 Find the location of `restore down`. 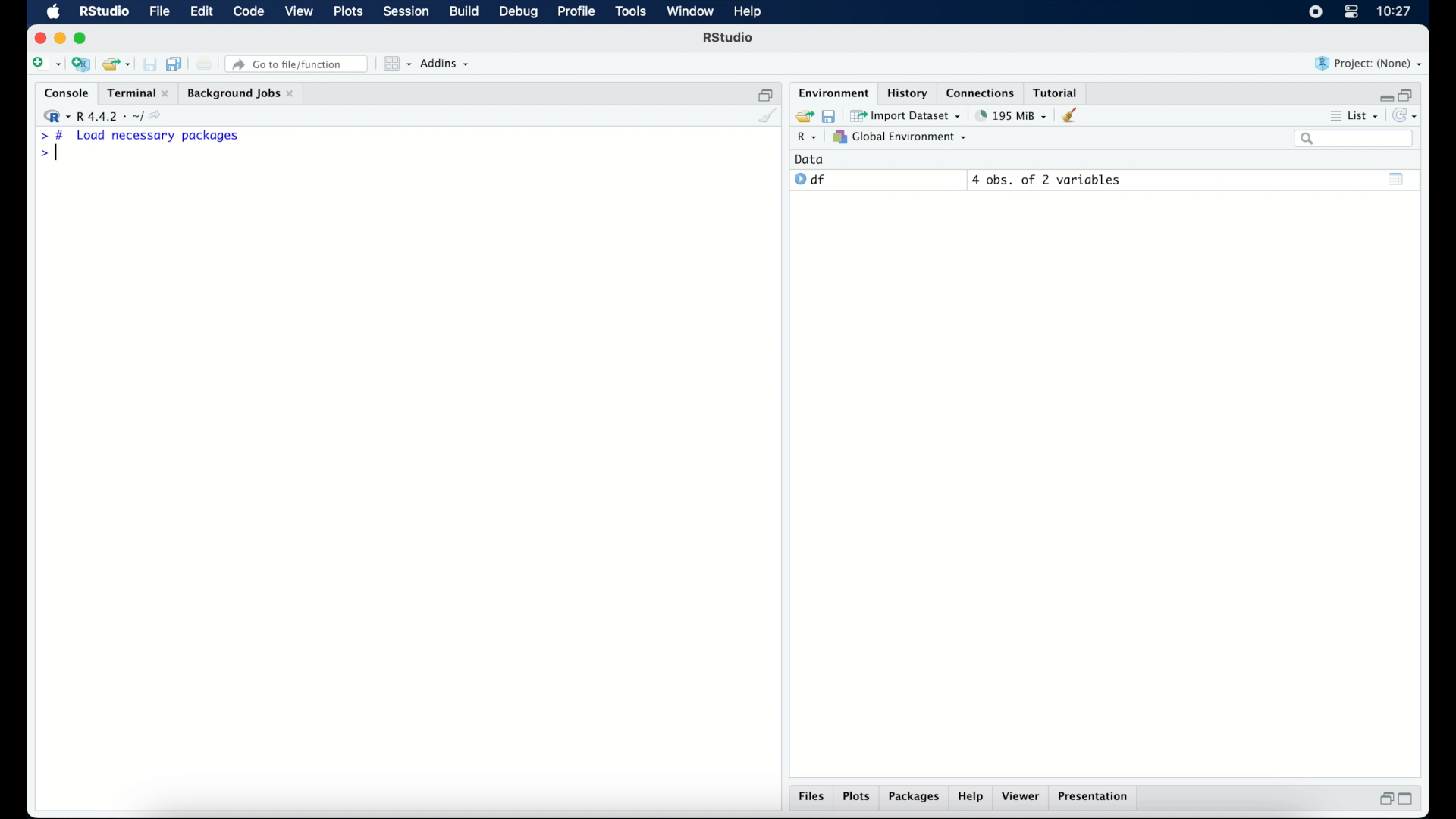

restore down is located at coordinates (766, 93).